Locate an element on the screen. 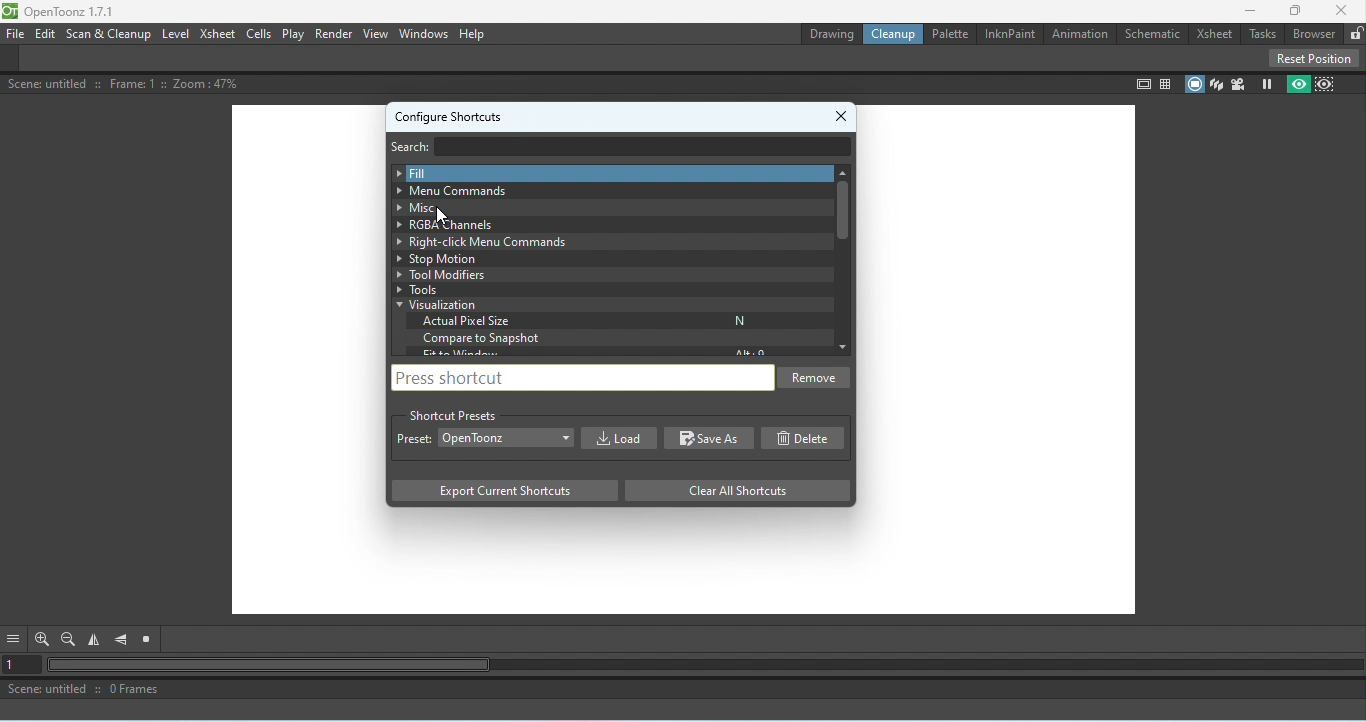 The height and width of the screenshot is (722, 1366). Right-click menu commands is located at coordinates (601, 244).